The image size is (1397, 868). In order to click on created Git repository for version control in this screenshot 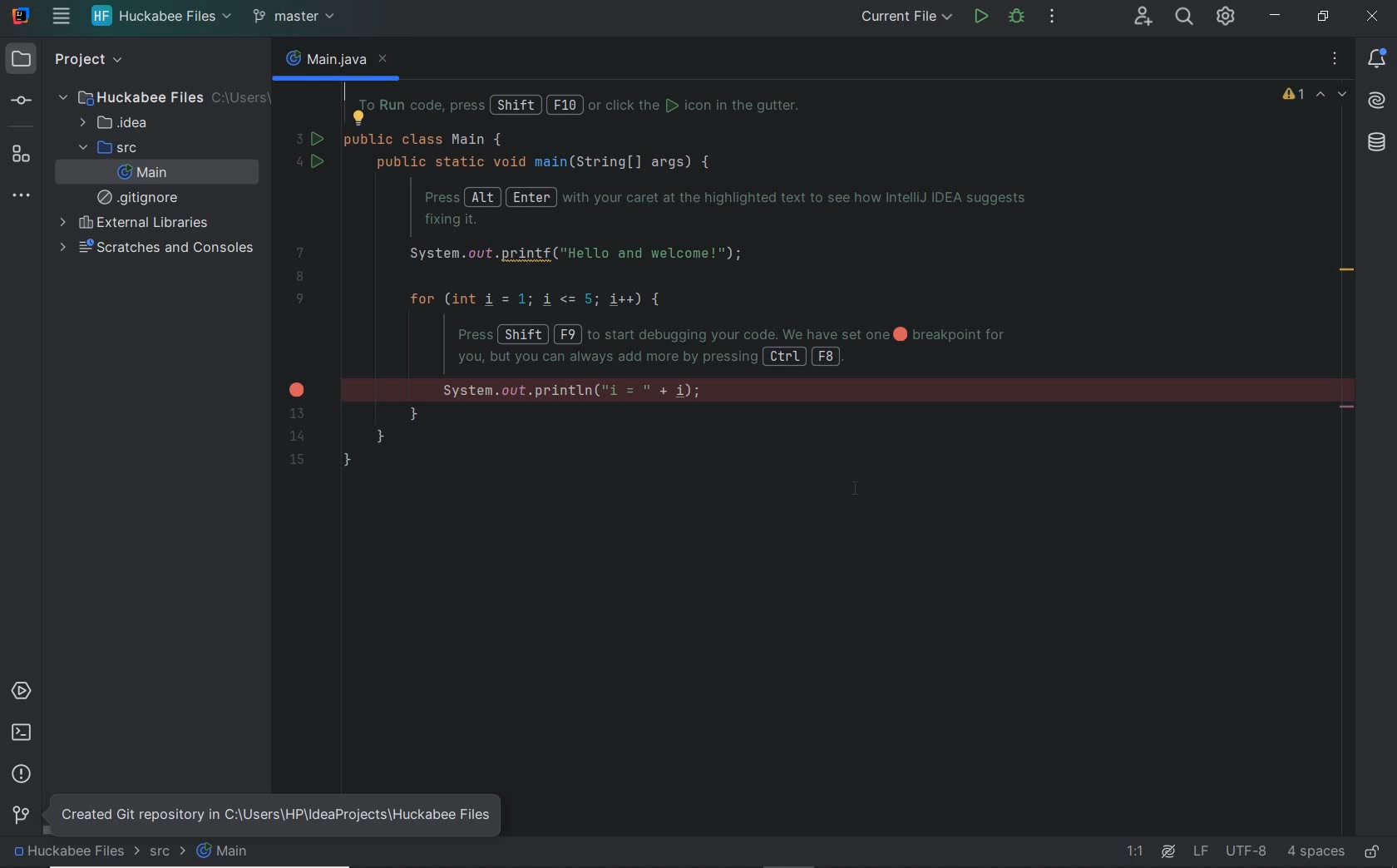, I will do `click(297, 807)`.